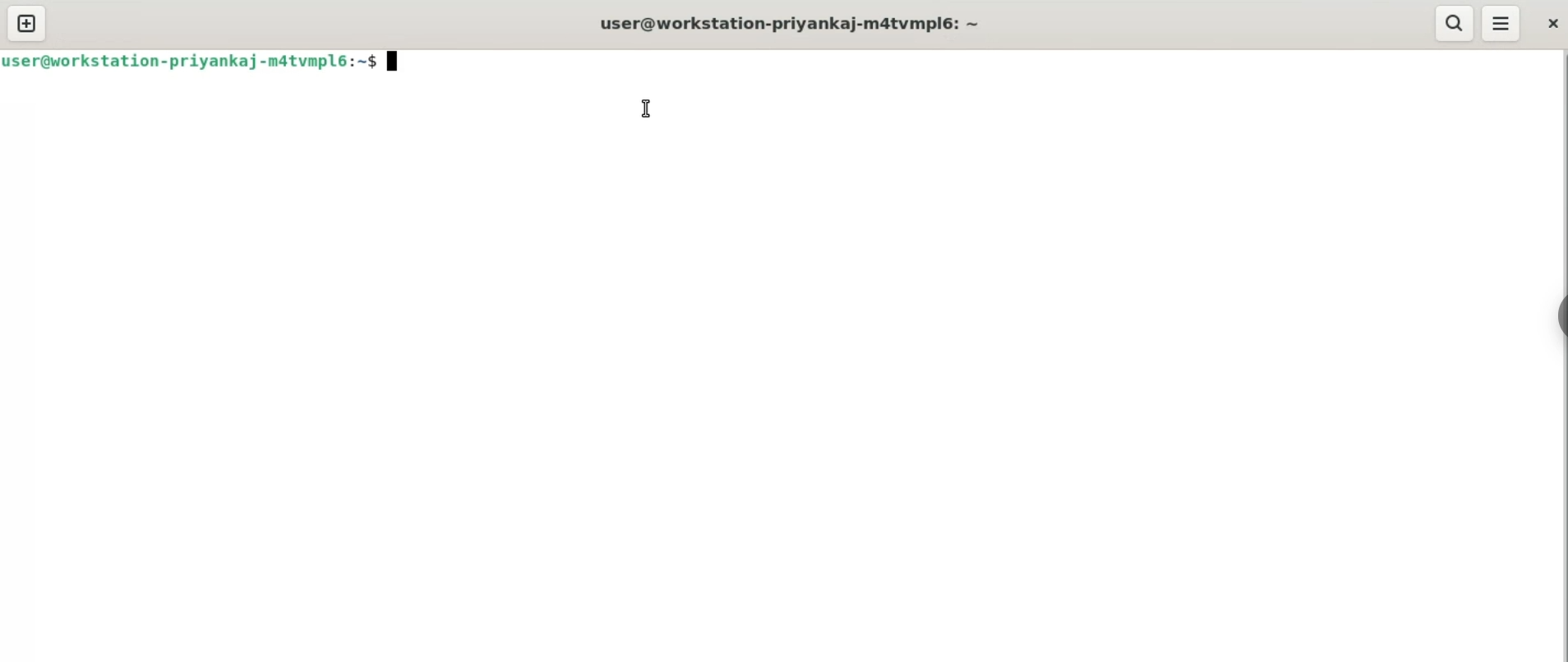 Image resolution: width=1568 pixels, height=662 pixels. I want to click on user@workstaion-priyankaj-m4tvmpl6:~$, so click(200, 60).